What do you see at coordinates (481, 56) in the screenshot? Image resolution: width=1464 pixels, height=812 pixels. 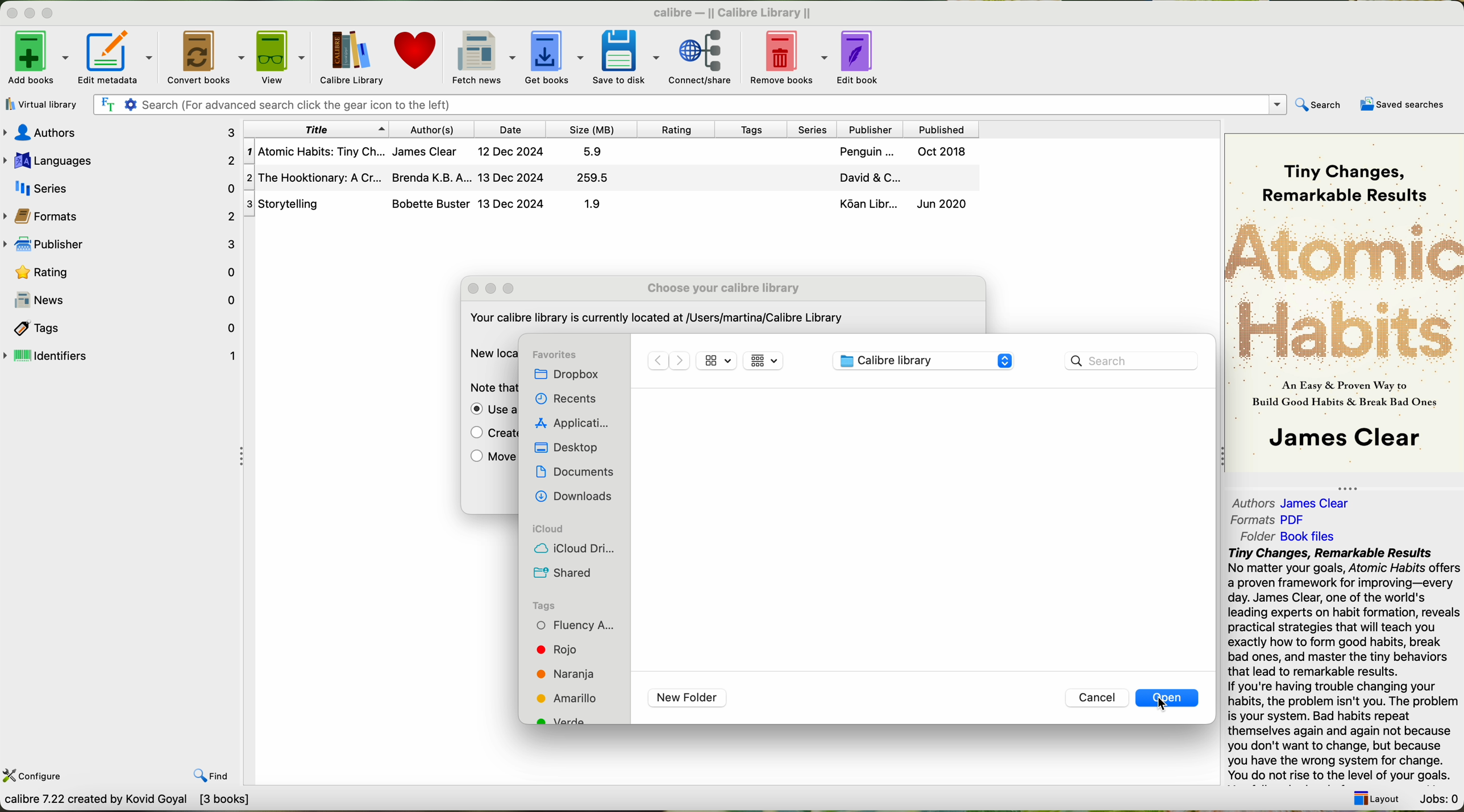 I see `fetch news` at bounding box center [481, 56].